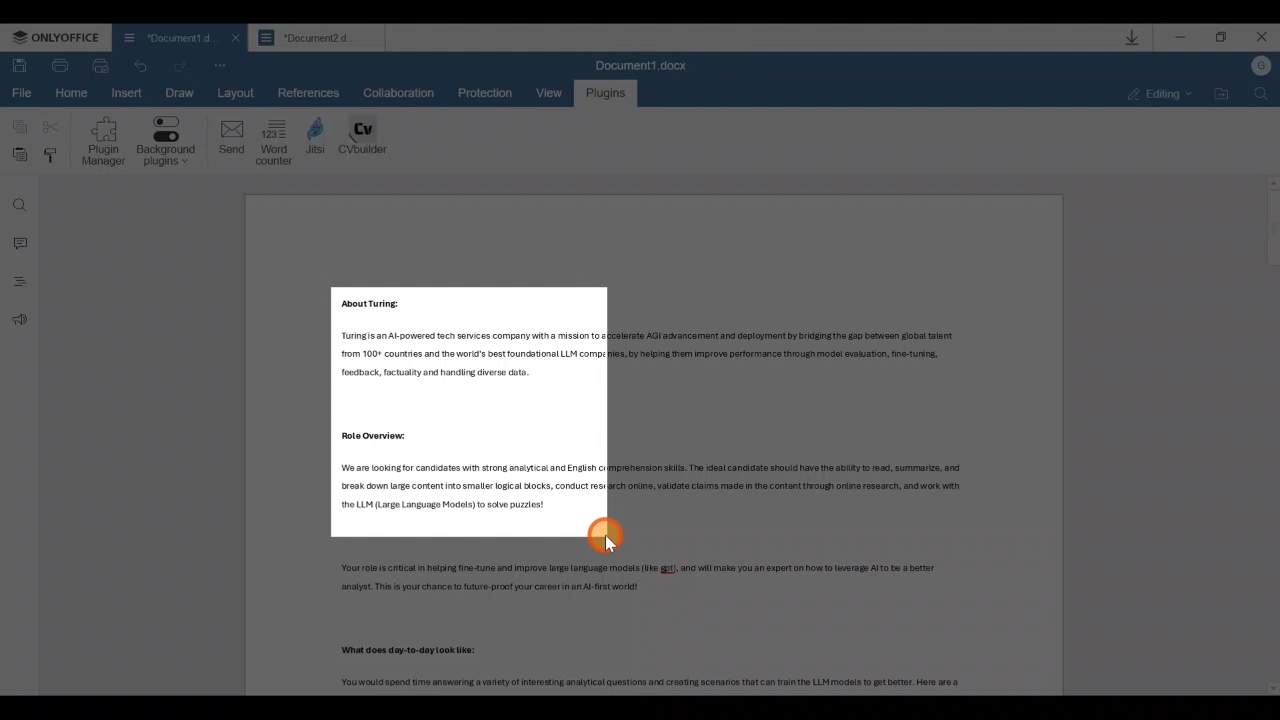 Image resolution: width=1280 pixels, height=720 pixels. I want to click on Plugin manager, so click(102, 143).